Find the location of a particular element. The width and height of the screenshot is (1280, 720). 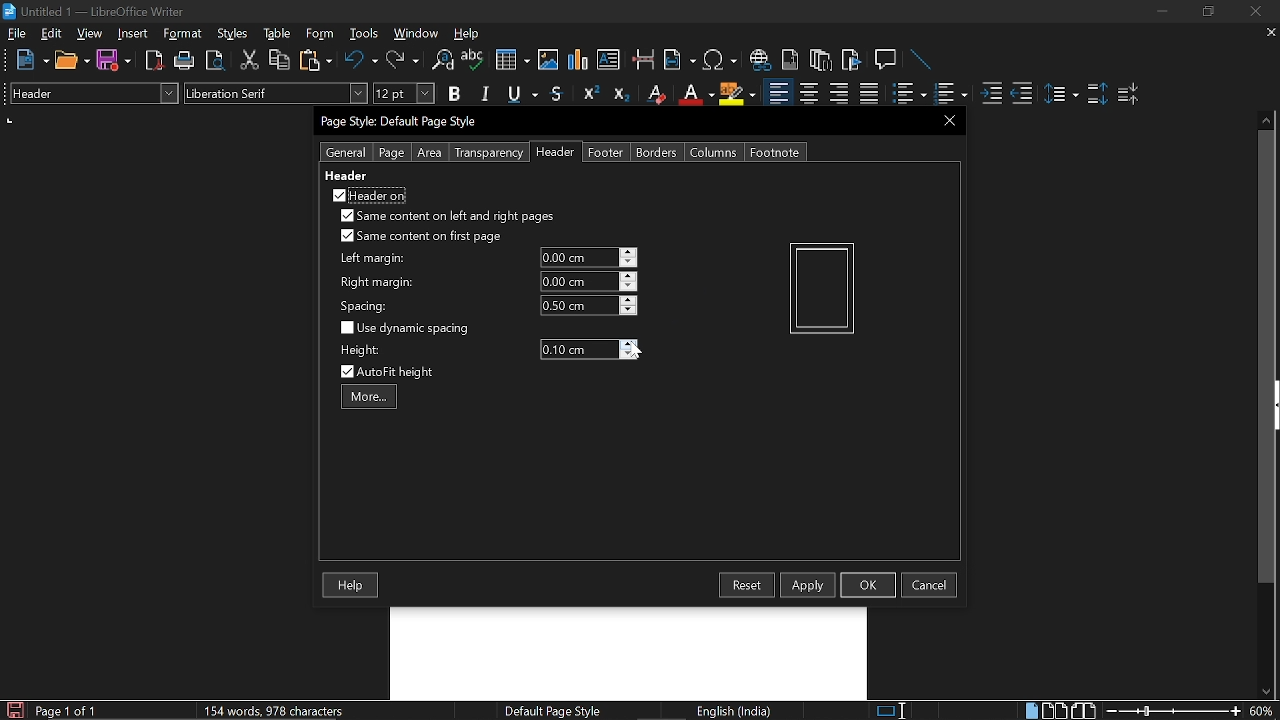

Redo is located at coordinates (402, 60).